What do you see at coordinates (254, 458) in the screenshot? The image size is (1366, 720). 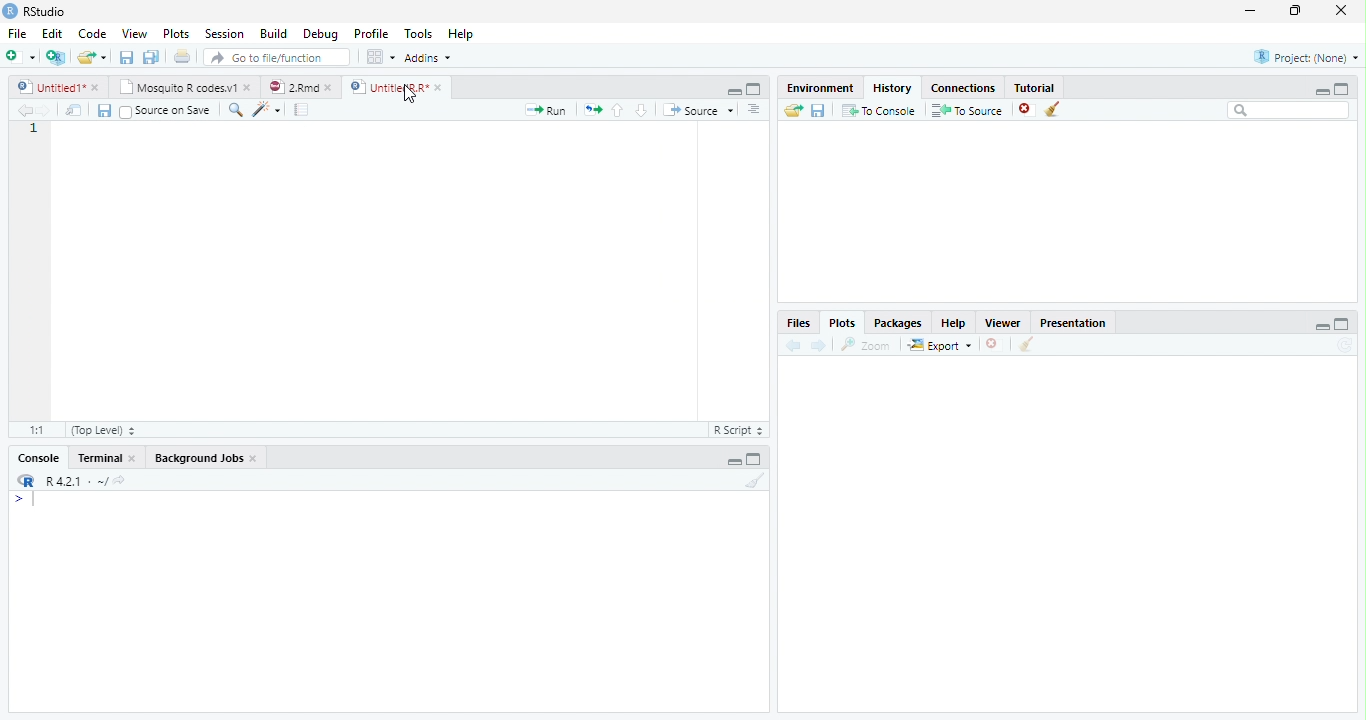 I see `close` at bounding box center [254, 458].